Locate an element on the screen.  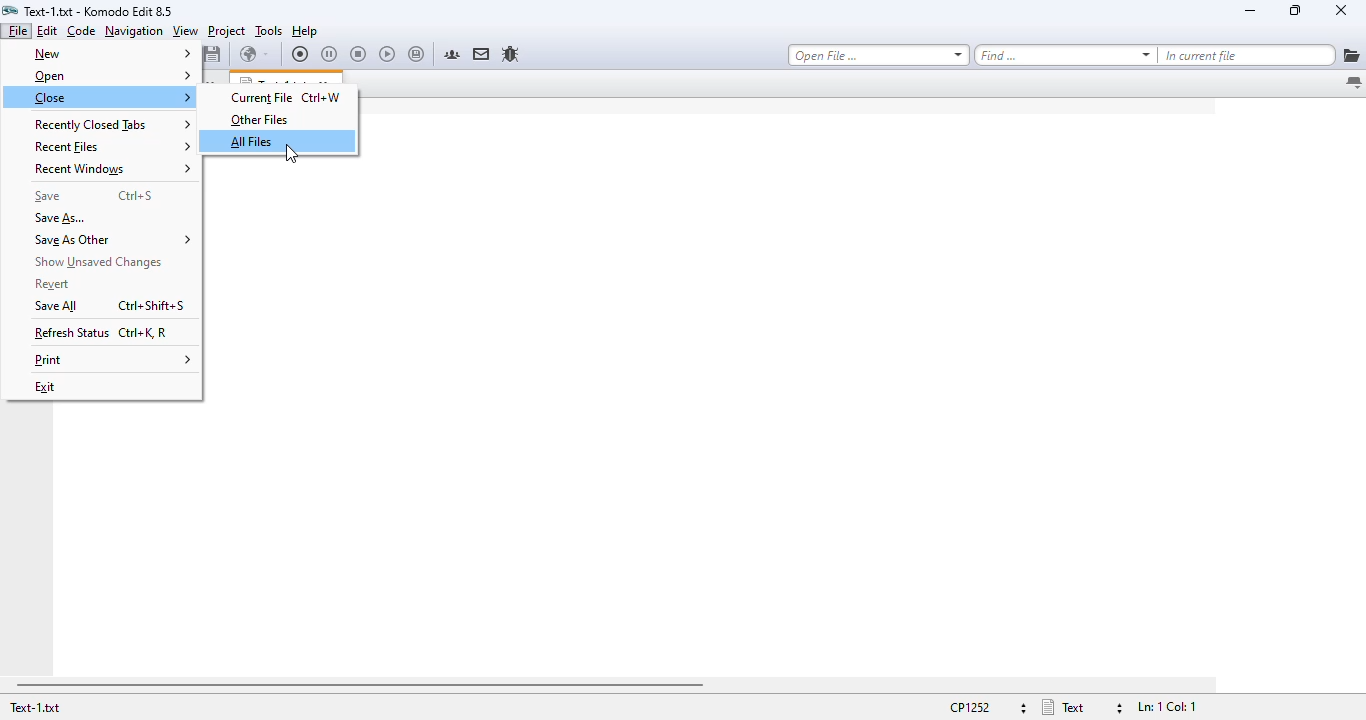
open is located at coordinates (111, 77).